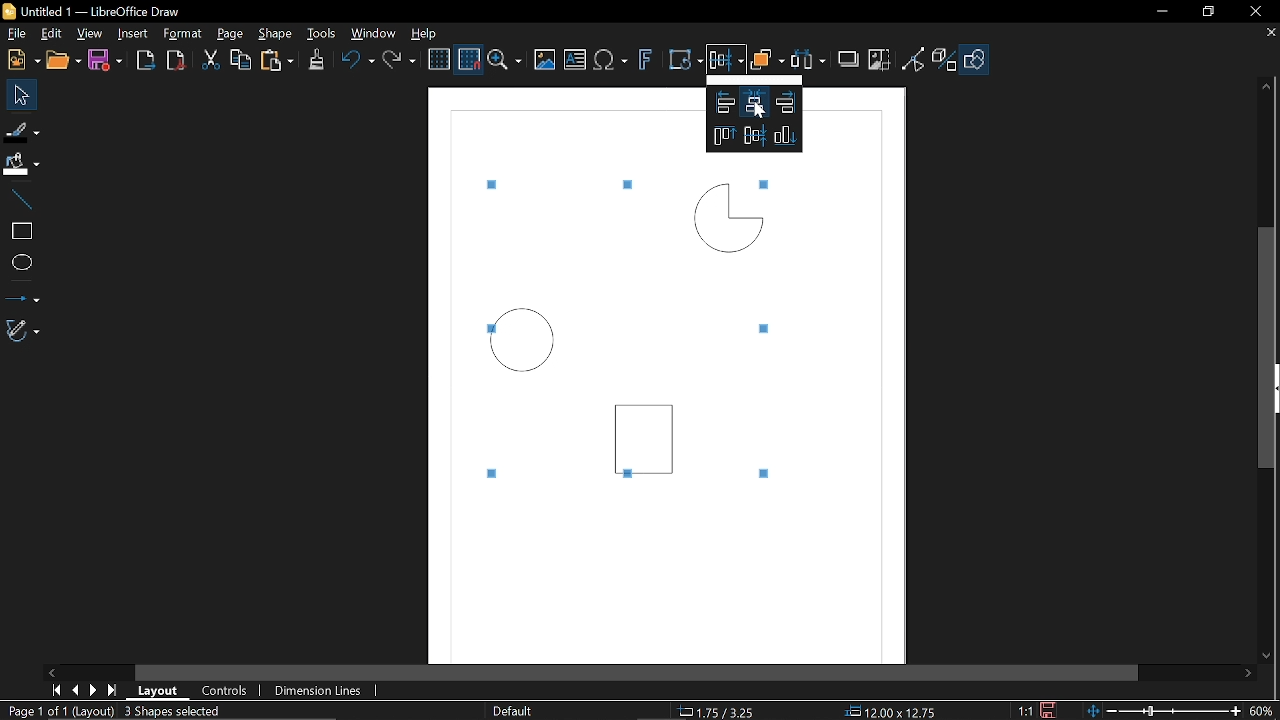  Describe the element at coordinates (75, 690) in the screenshot. I see `Previous page` at that location.